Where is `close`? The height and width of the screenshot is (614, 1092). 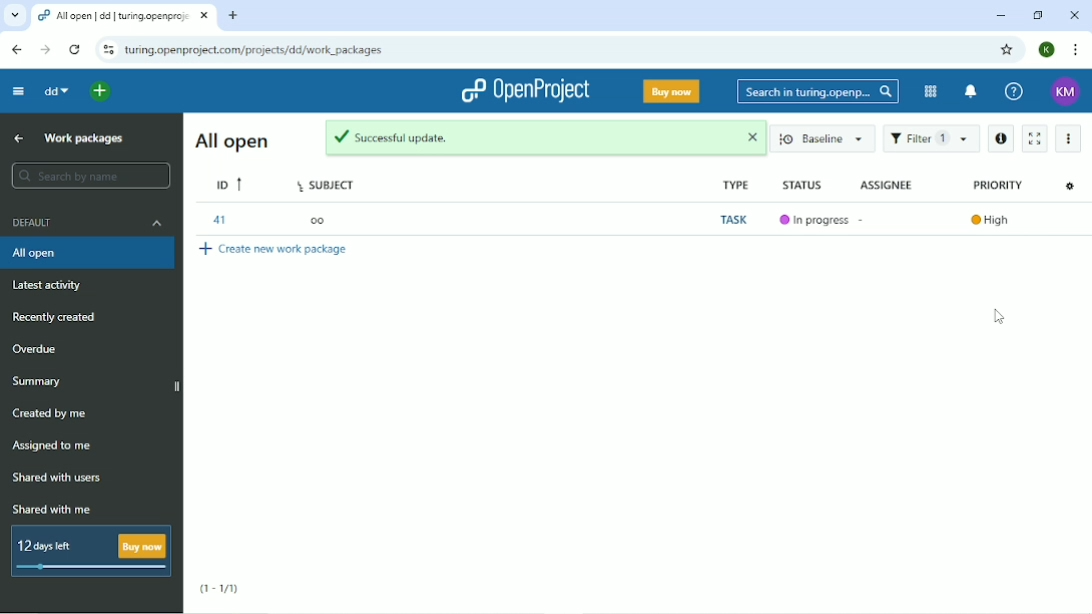
close is located at coordinates (748, 140).